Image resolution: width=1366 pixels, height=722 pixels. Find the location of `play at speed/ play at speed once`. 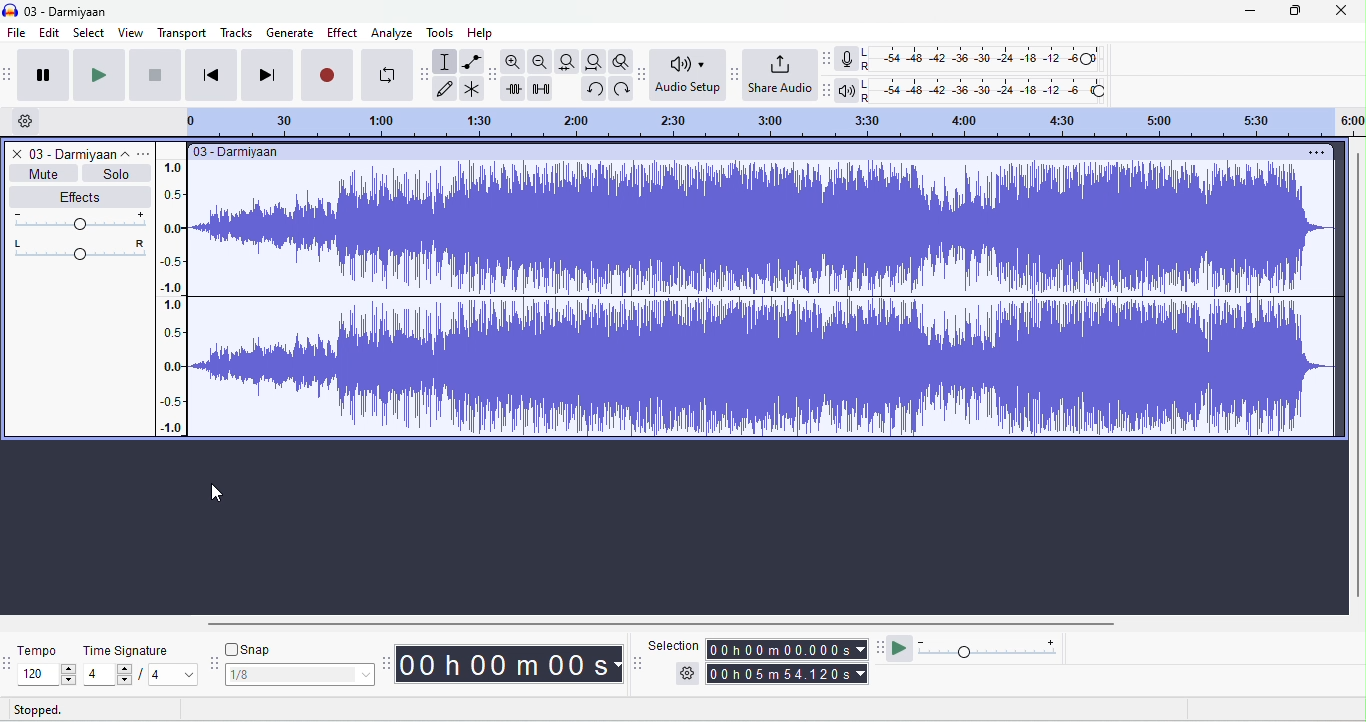

play at speed/ play at speed once is located at coordinates (901, 647).